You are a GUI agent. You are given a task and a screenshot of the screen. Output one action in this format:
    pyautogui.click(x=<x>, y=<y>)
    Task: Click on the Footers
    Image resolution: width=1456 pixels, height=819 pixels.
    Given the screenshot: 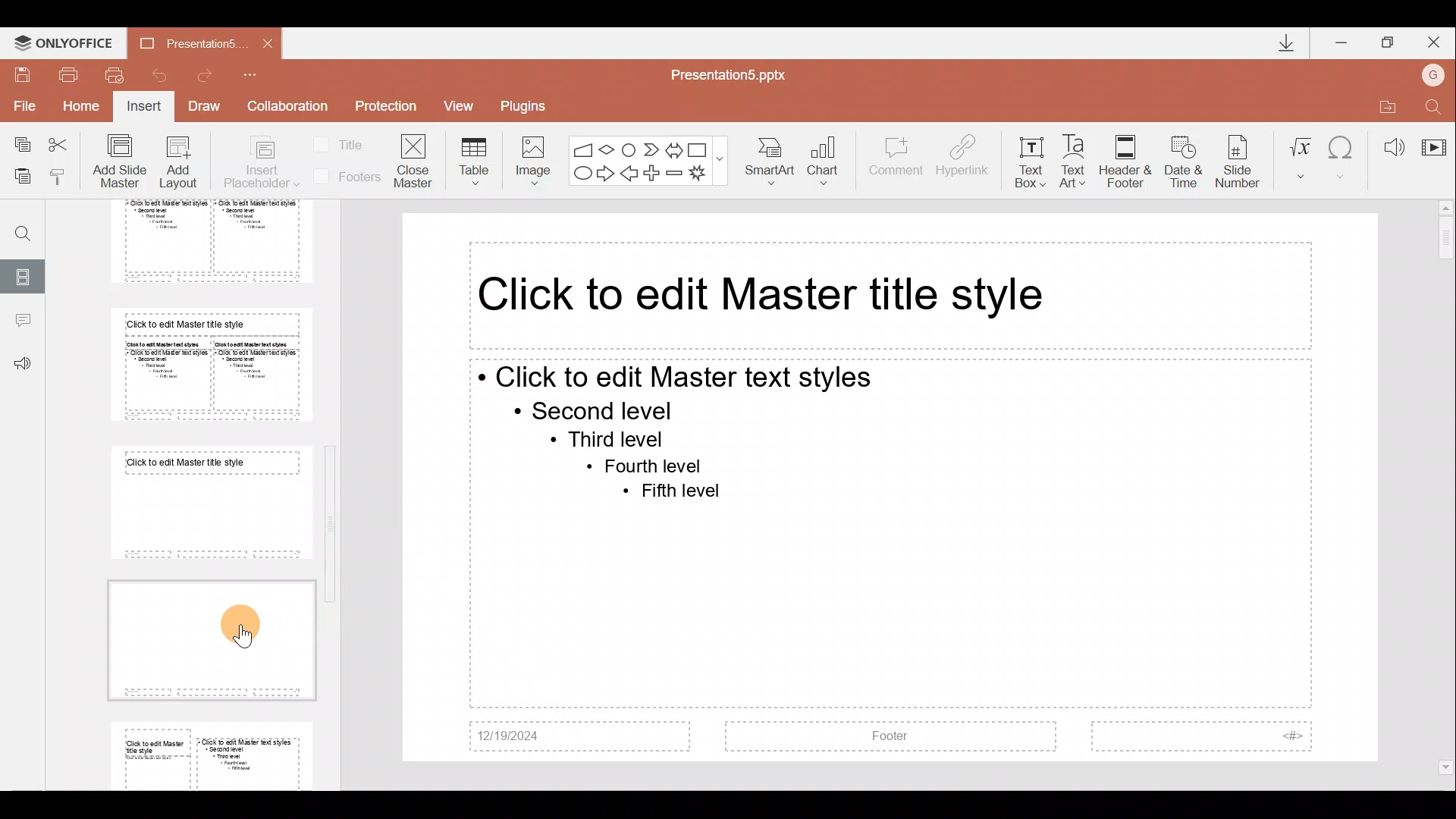 What is the action you would take?
    pyautogui.click(x=345, y=177)
    